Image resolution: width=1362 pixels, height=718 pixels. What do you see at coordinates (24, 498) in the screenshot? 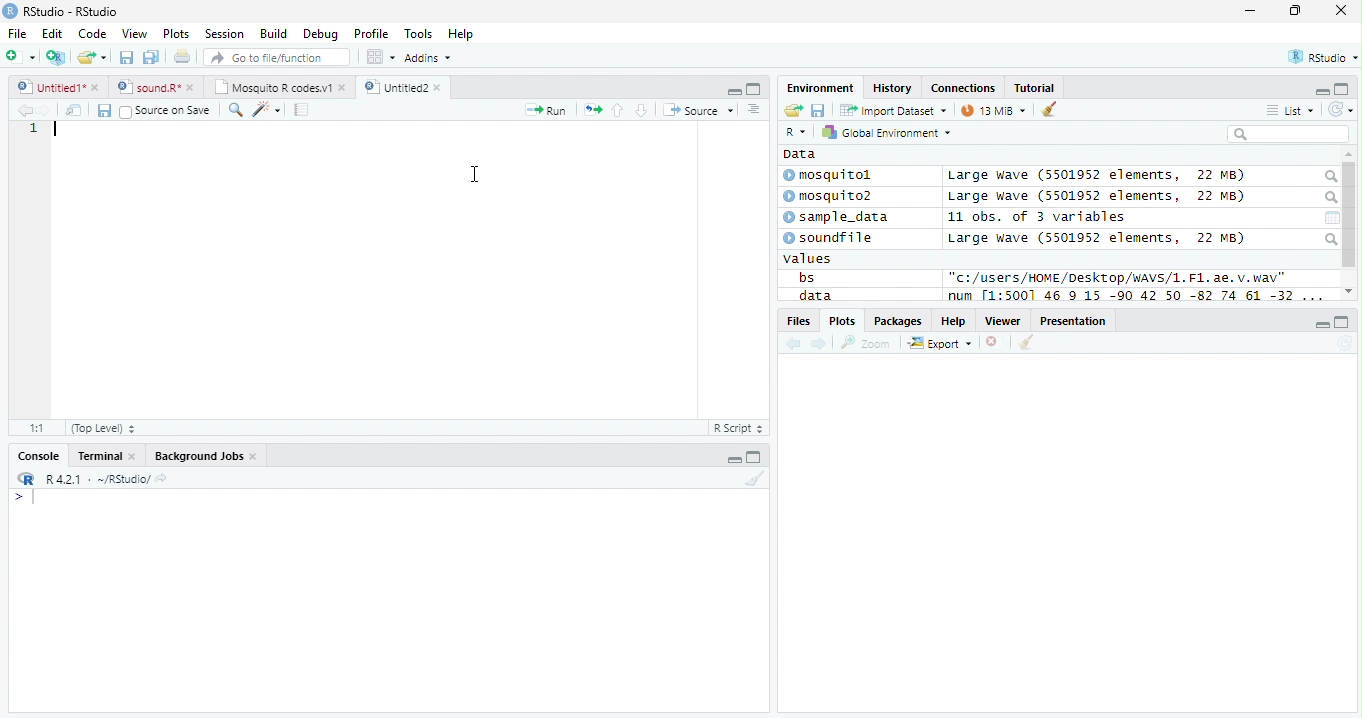
I see `typing cursor` at bounding box center [24, 498].